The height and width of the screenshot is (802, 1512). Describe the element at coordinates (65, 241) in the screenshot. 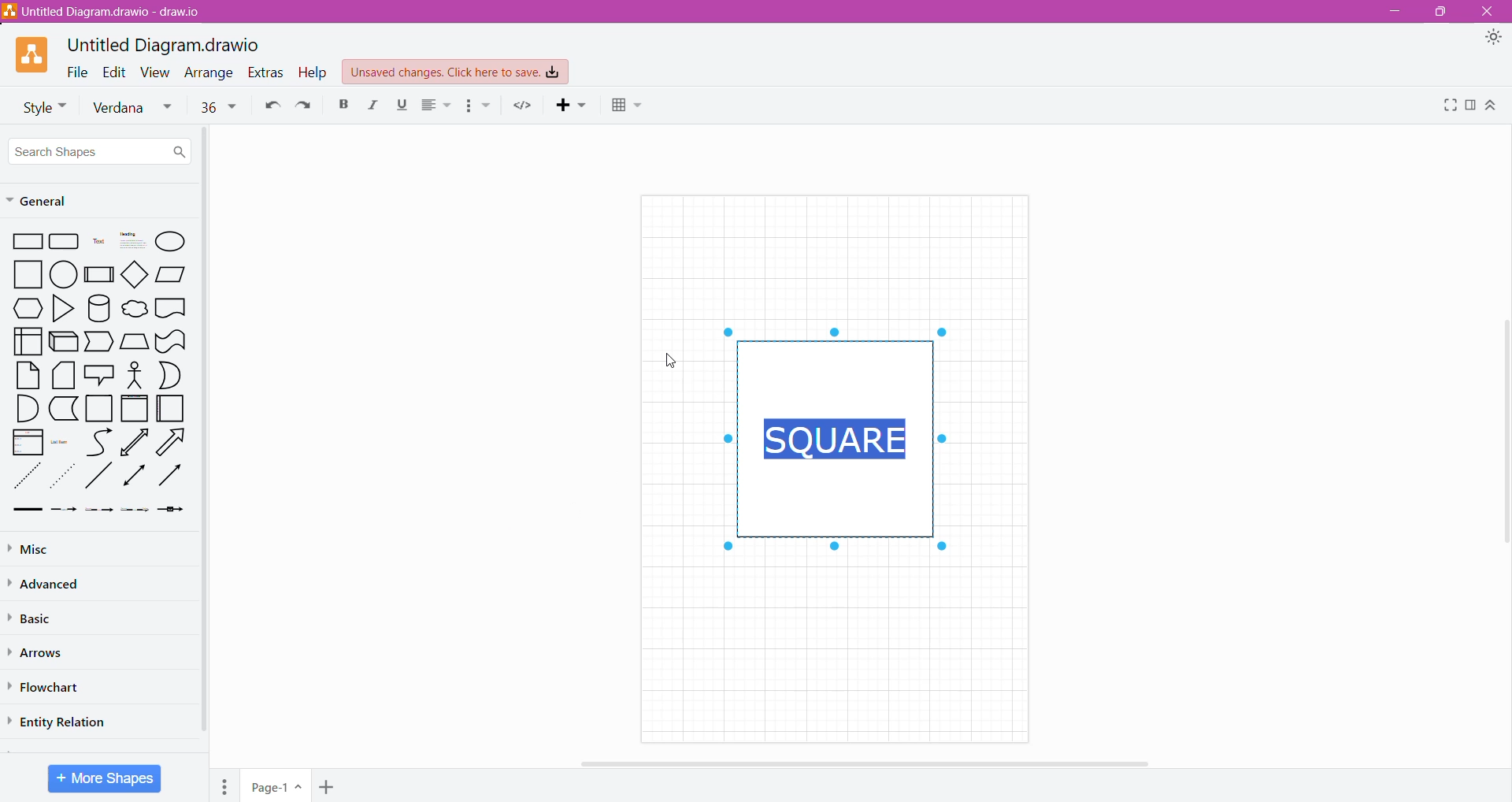

I see `Grid rectangle` at that location.